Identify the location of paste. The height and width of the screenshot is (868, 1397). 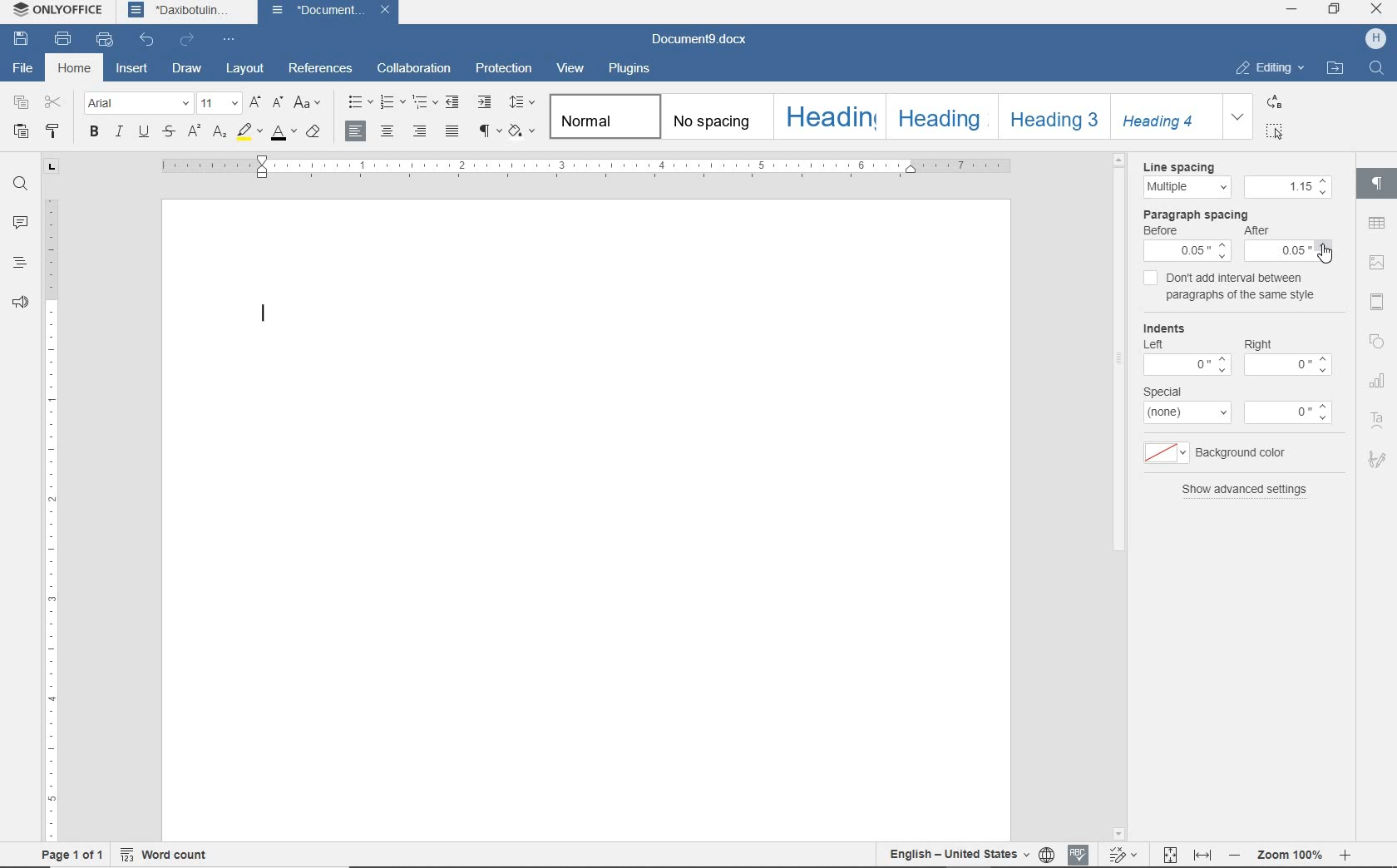
(22, 131).